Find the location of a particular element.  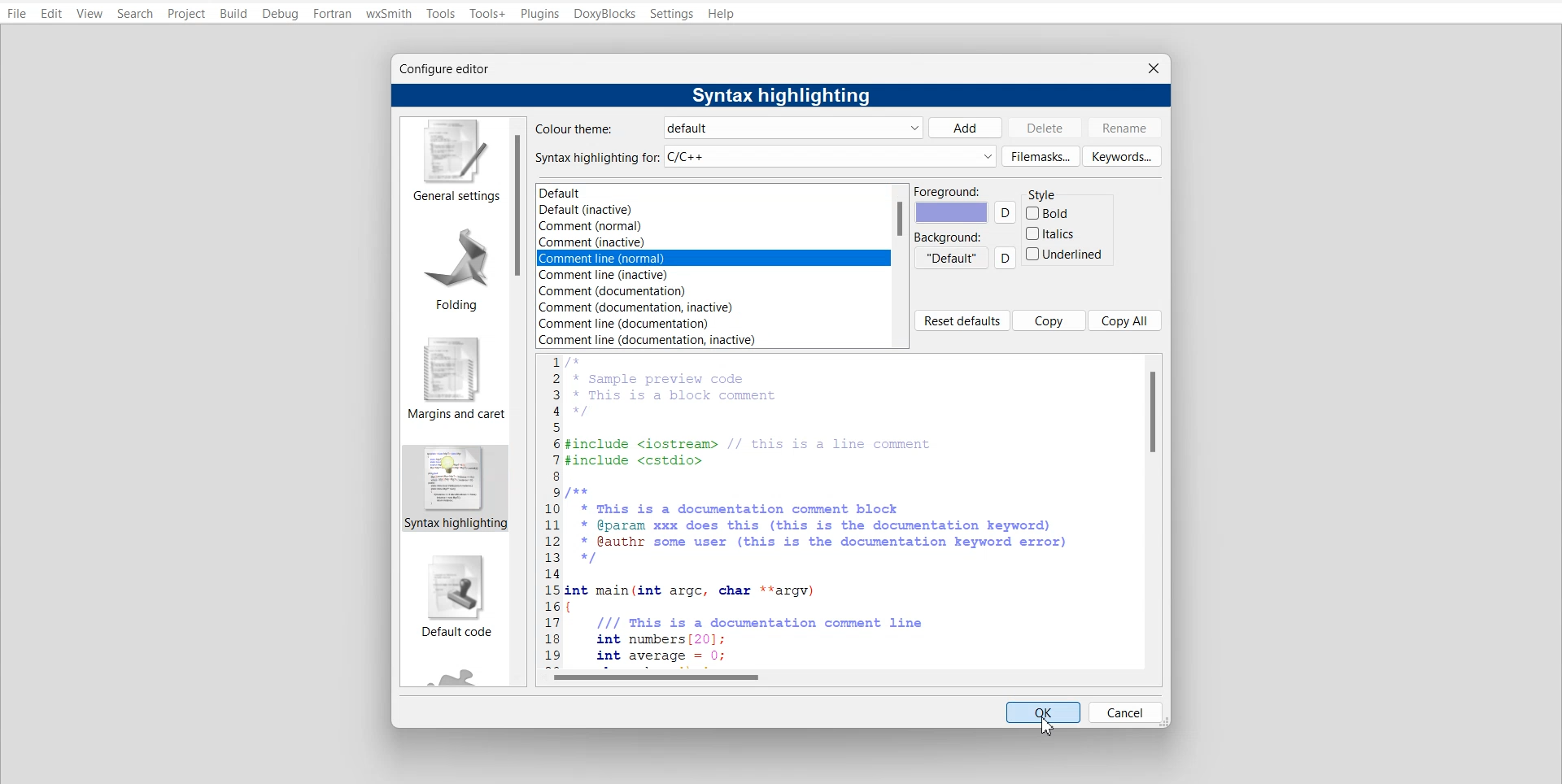

Comment line (inactive) is located at coordinates (640, 275).